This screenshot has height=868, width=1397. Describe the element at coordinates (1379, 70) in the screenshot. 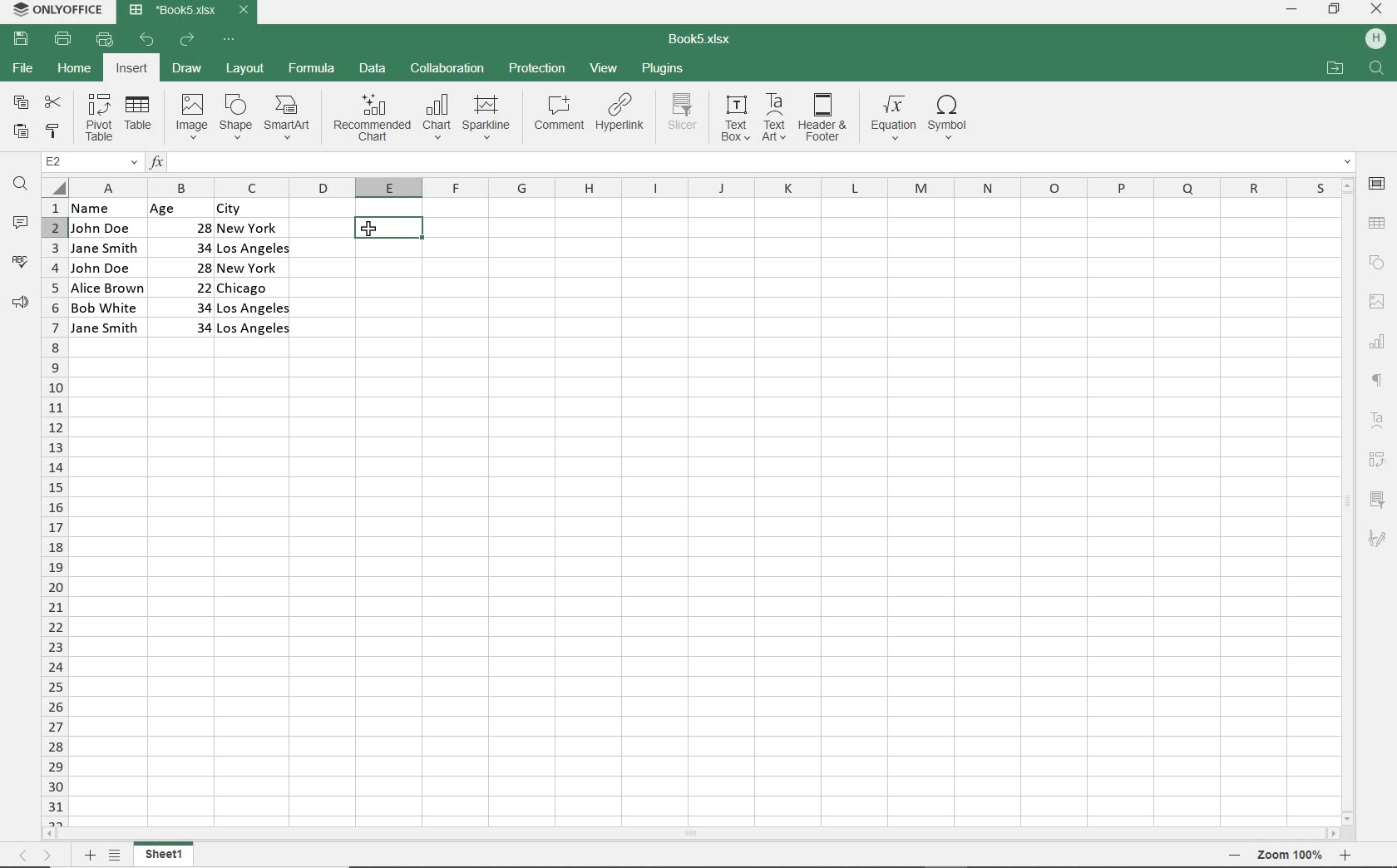

I see `FIND` at that location.